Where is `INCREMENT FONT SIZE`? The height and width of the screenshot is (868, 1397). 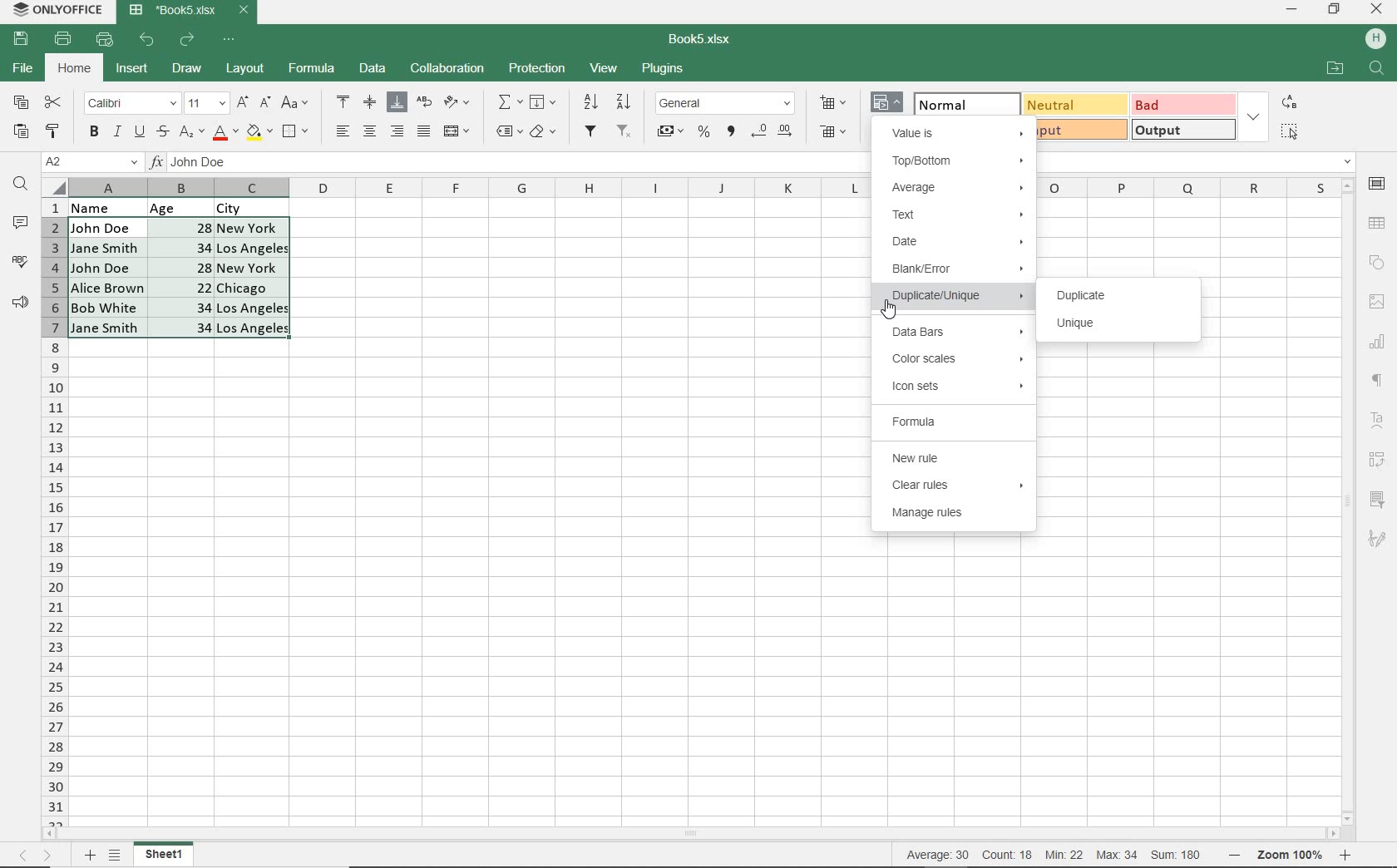
INCREMENT FONT SIZE is located at coordinates (243, 102).